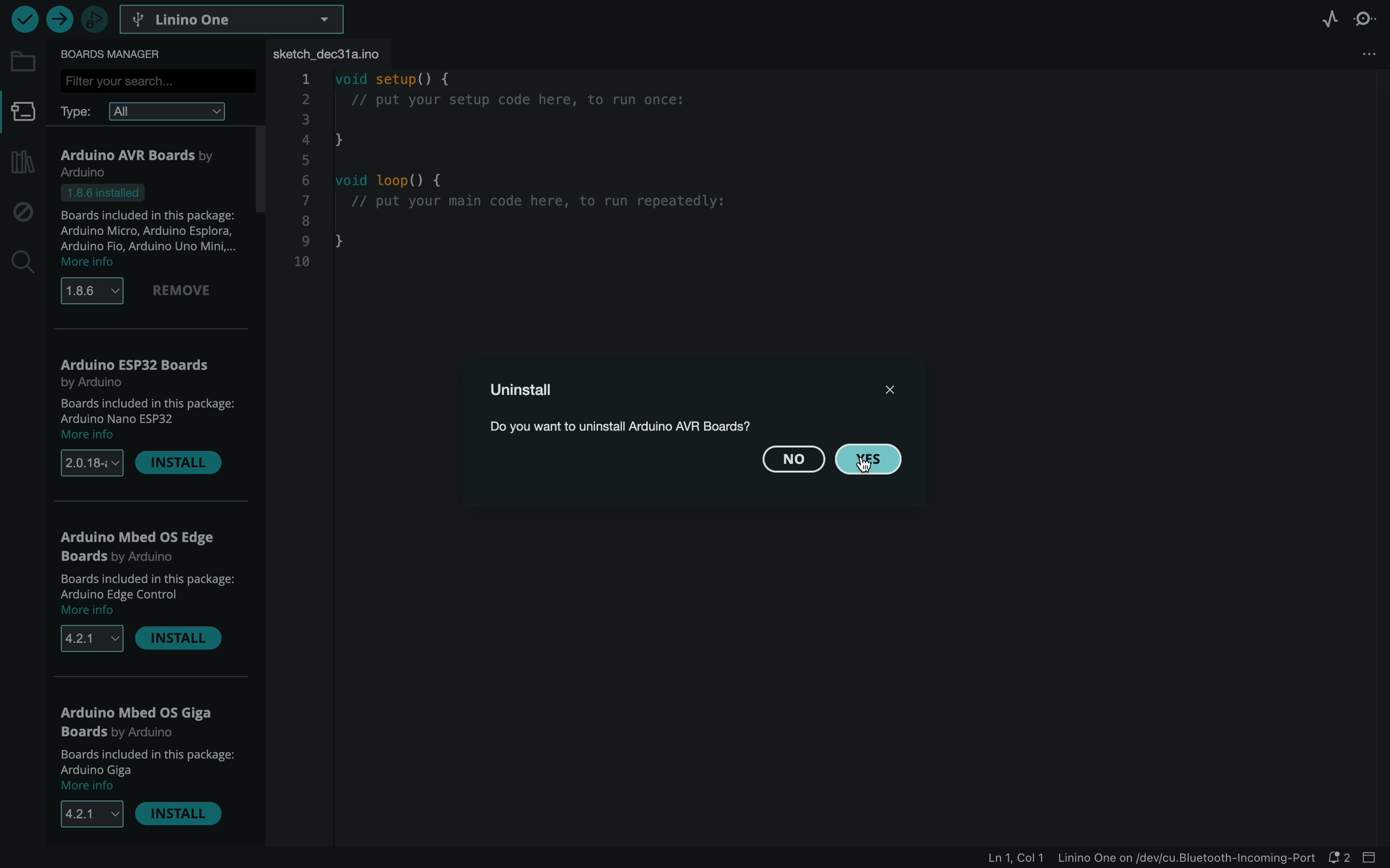 This screenshot has height=868, width=1390. What do you see at coordinates (180, 638) in the screenshot?
I see `install` at bounding box center [180, 638].